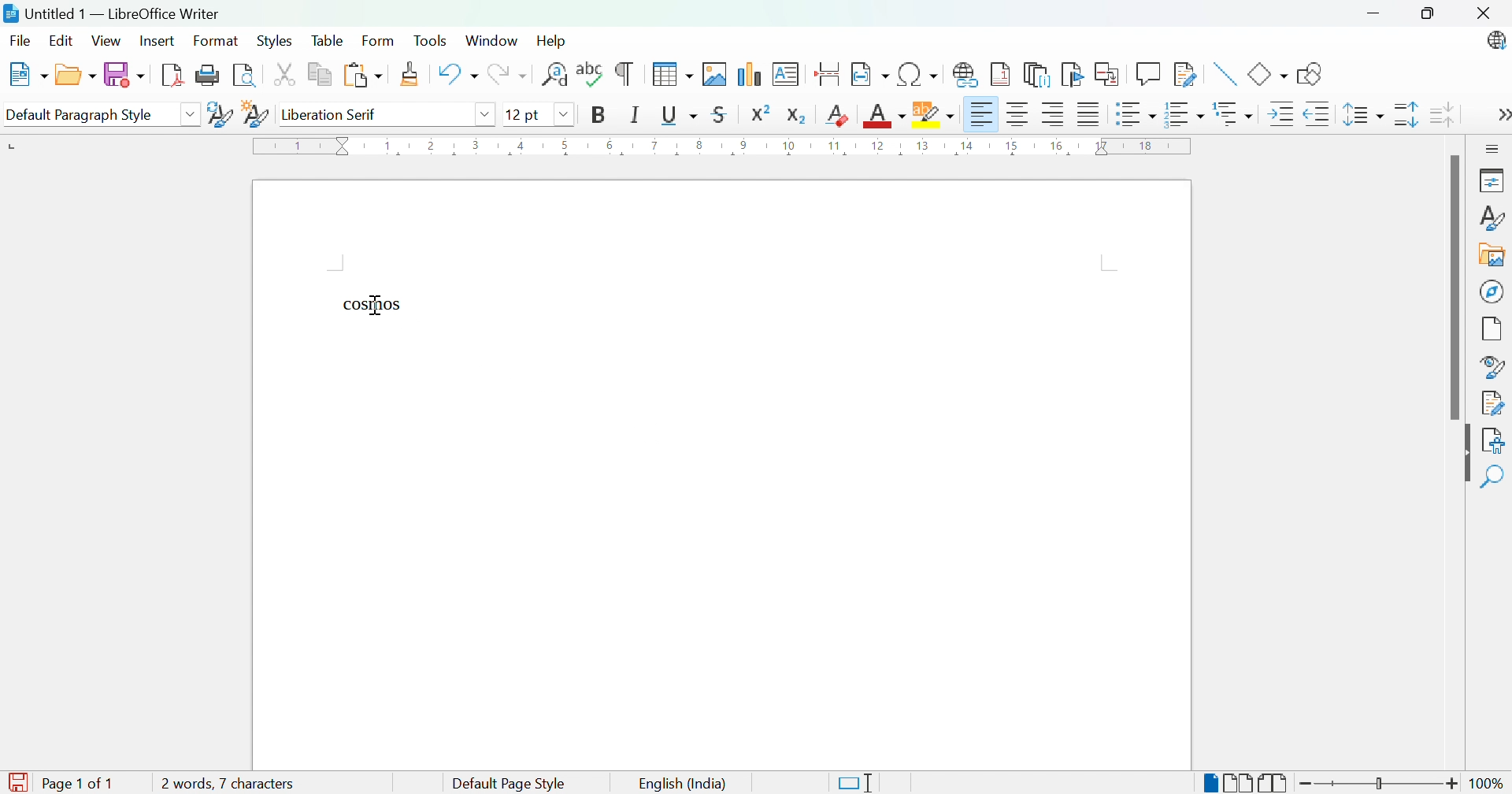 The height and width of the screenshot is (794, 1512). What do you see at coordinates (1492, 331) in the screenshot?
I see `Page` at bounding box center [1492, 331].